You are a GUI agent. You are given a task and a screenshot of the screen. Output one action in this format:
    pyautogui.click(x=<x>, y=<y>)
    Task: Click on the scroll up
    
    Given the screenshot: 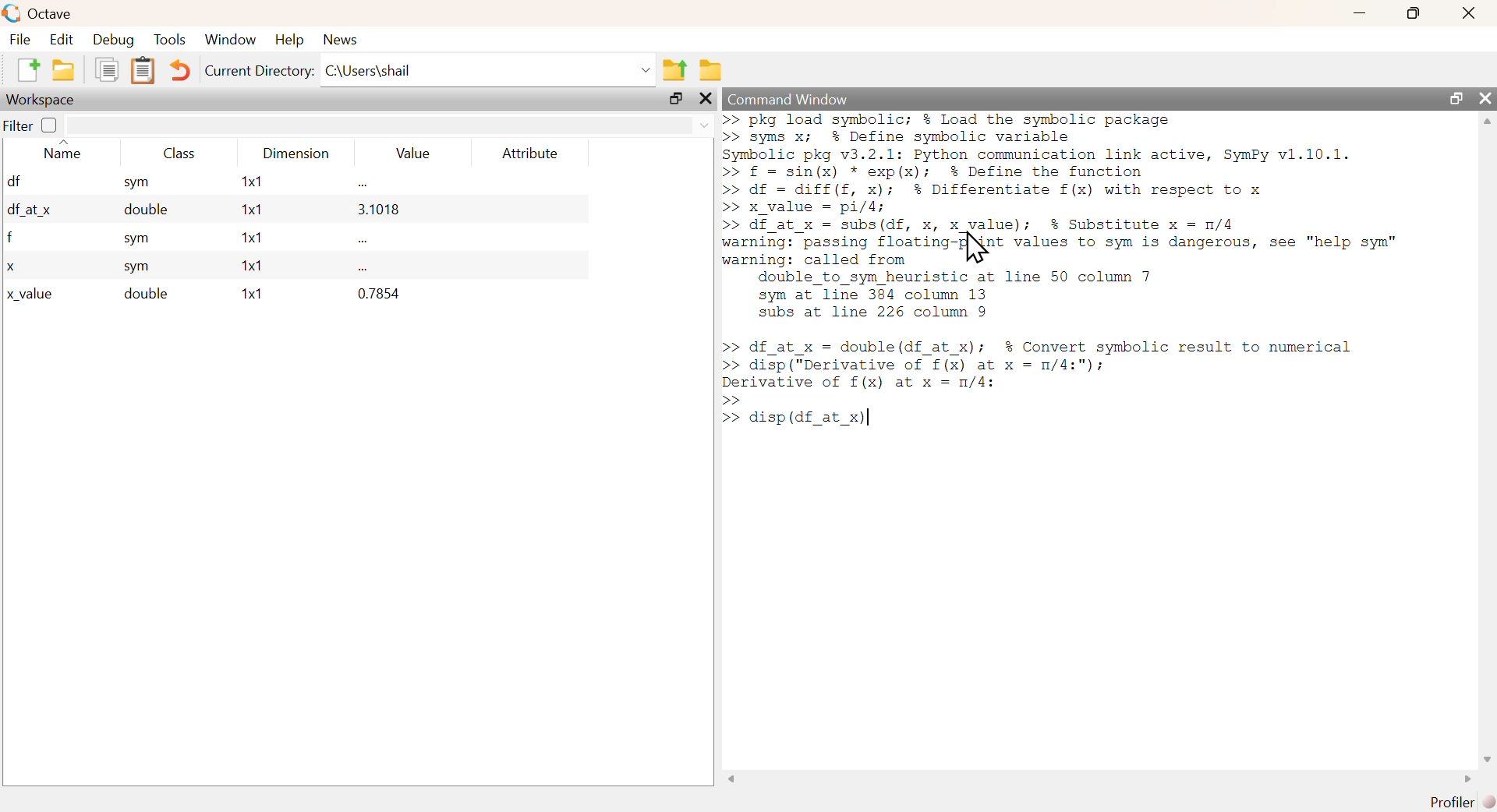 What is the action you would take?
    pyautogui.click(x=1487, y=121)
    